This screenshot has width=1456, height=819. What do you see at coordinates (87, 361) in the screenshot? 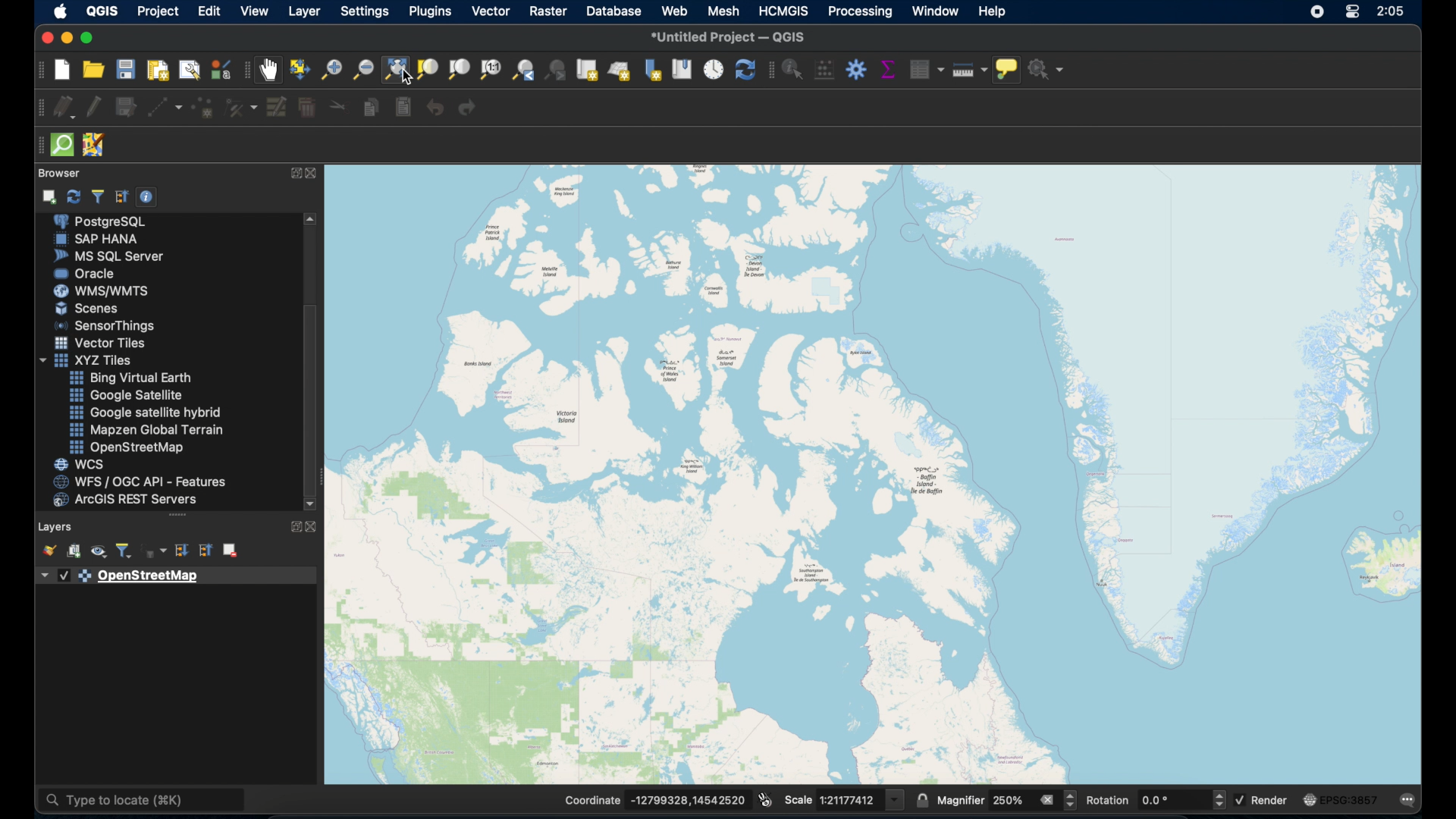
I see `xyzzy tiles` at bounding box center [87, 361].